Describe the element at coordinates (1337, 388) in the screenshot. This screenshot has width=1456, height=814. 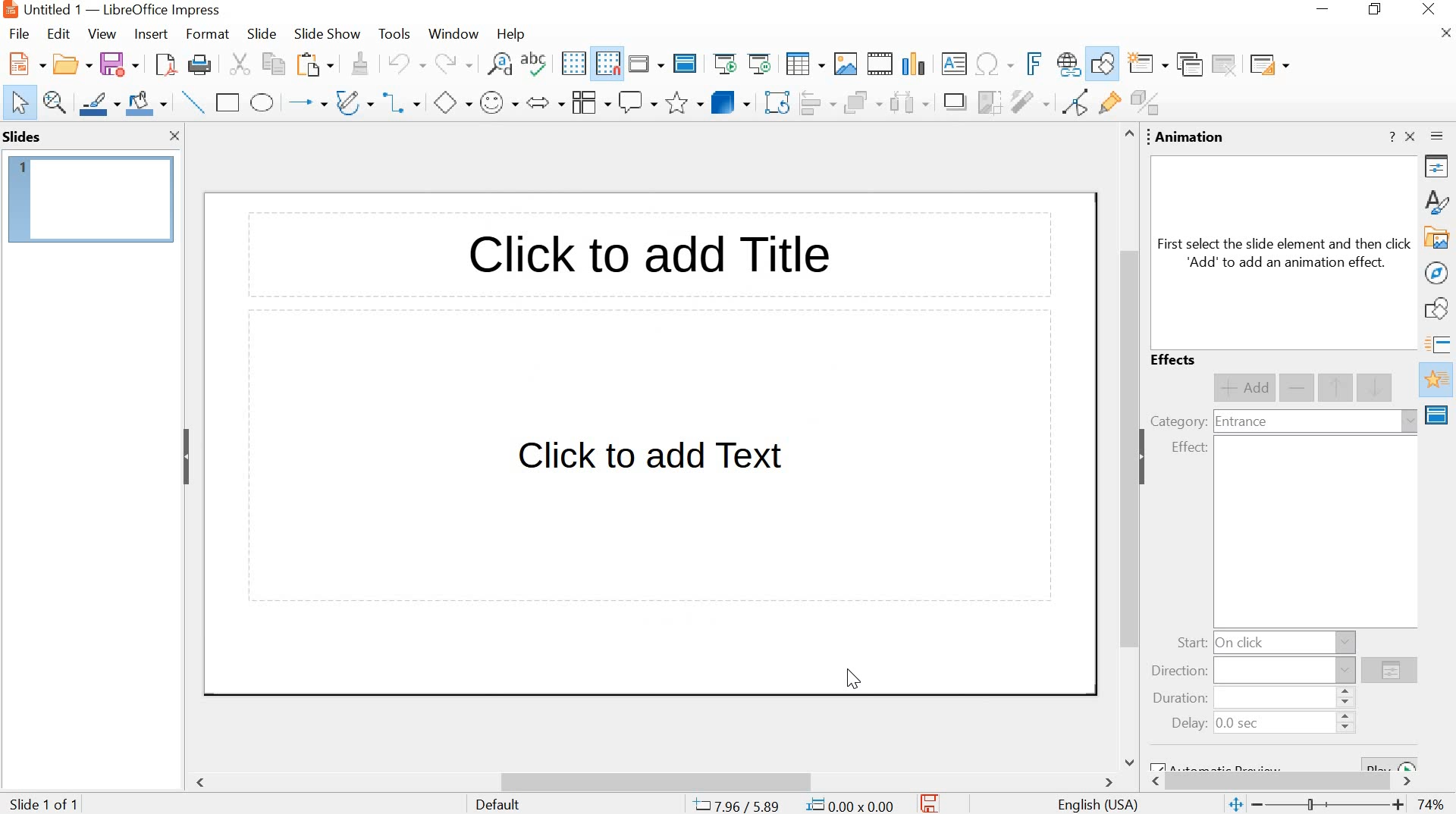
I see `move up` at that location.